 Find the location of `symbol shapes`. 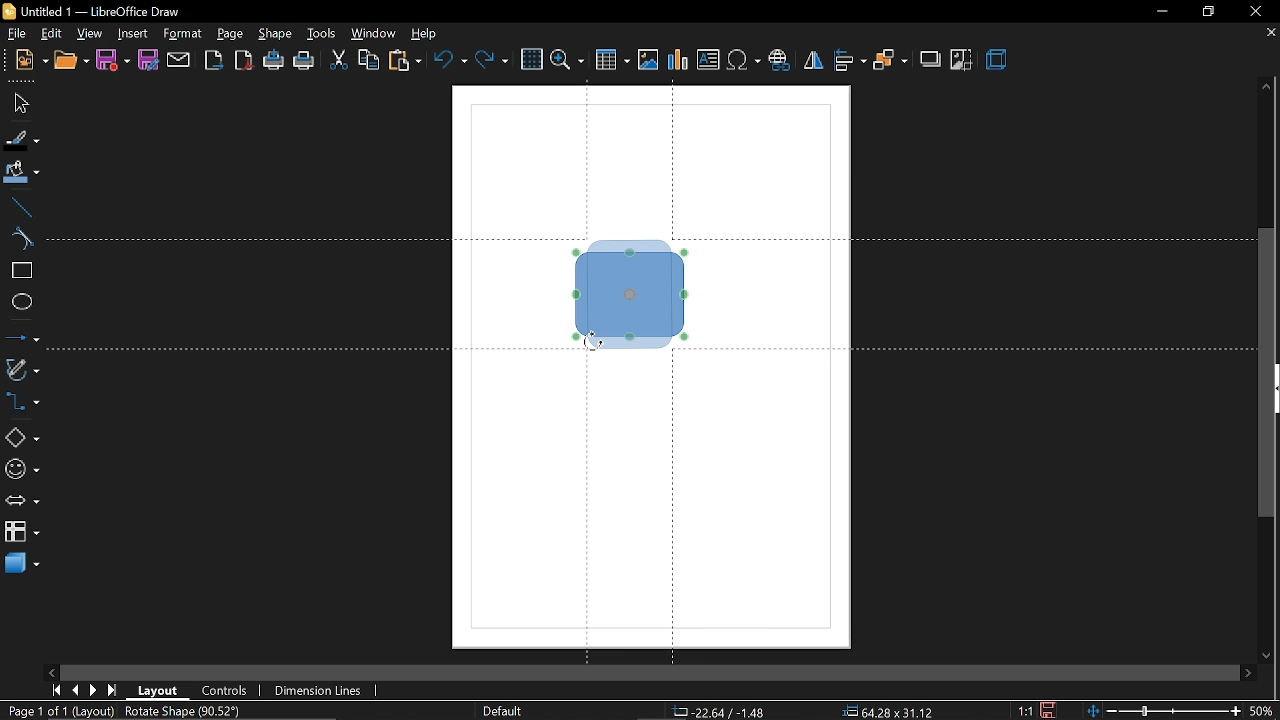

symbol shapes is located at coordinates (21, 469).